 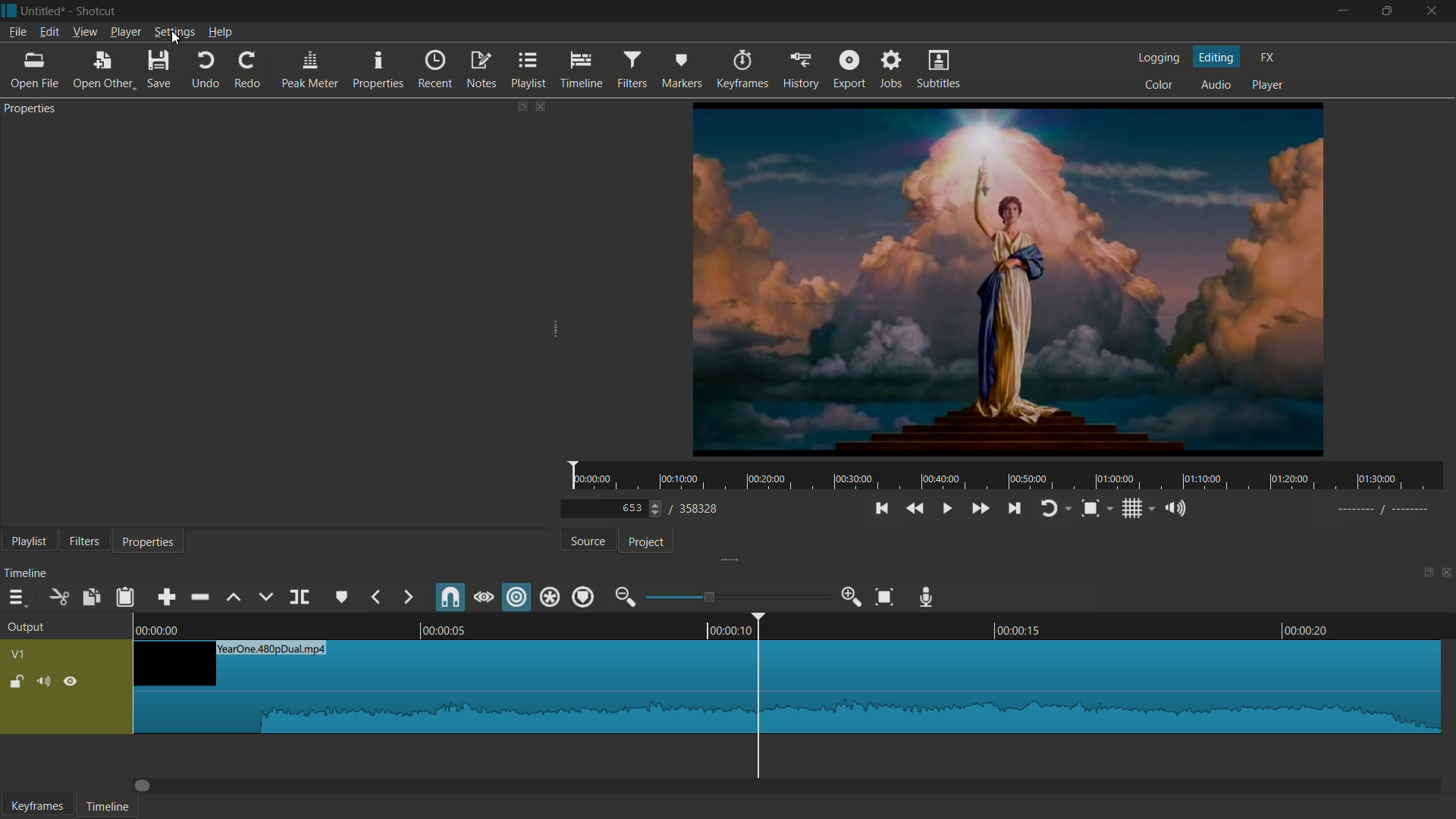 What do you see at coordinates (173, 33) in the screenshot?
I see `settings menu` at bounding box center [173, 33].